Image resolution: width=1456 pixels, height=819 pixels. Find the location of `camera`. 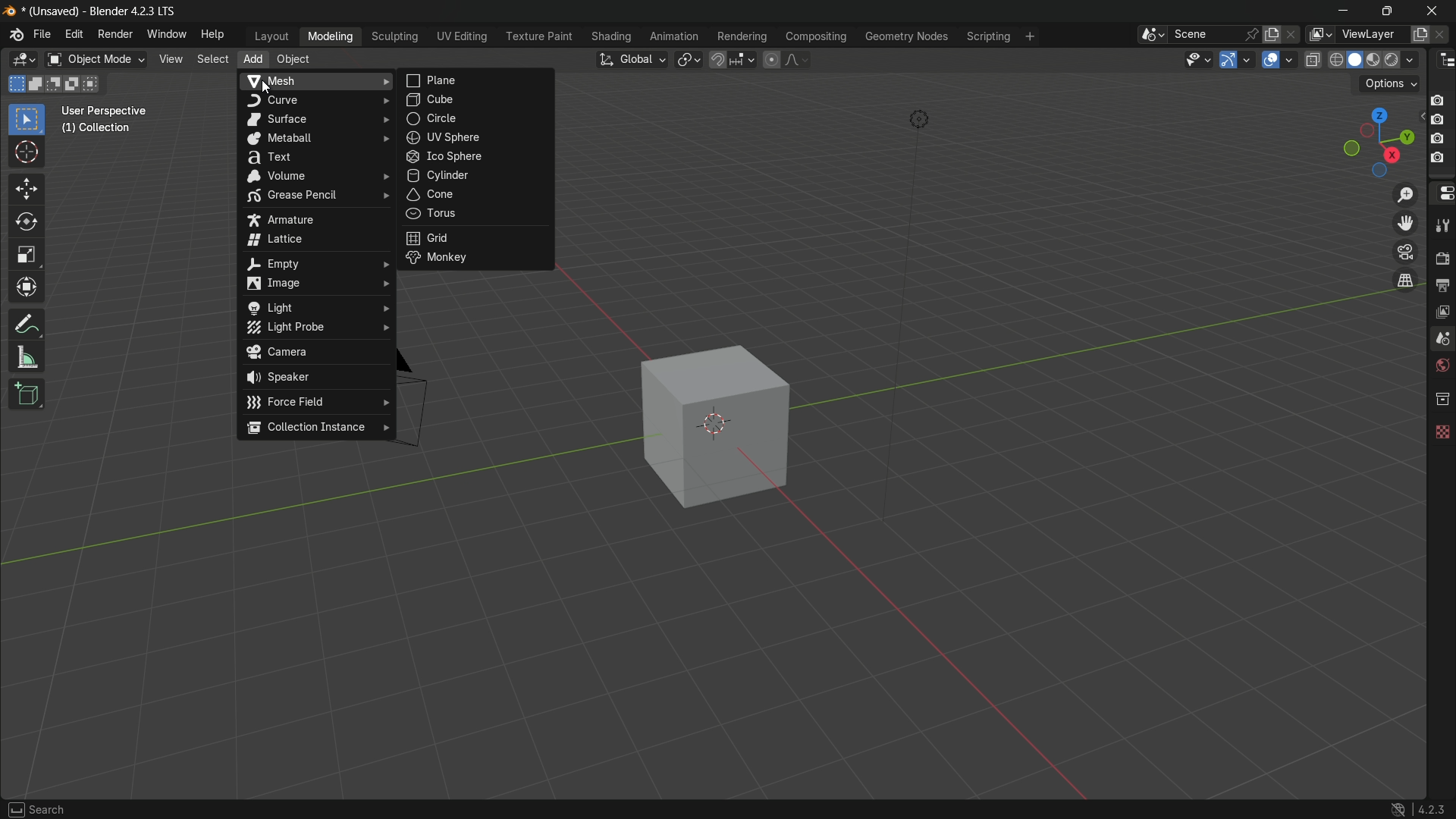

camera is located at coordinates (317, 354).